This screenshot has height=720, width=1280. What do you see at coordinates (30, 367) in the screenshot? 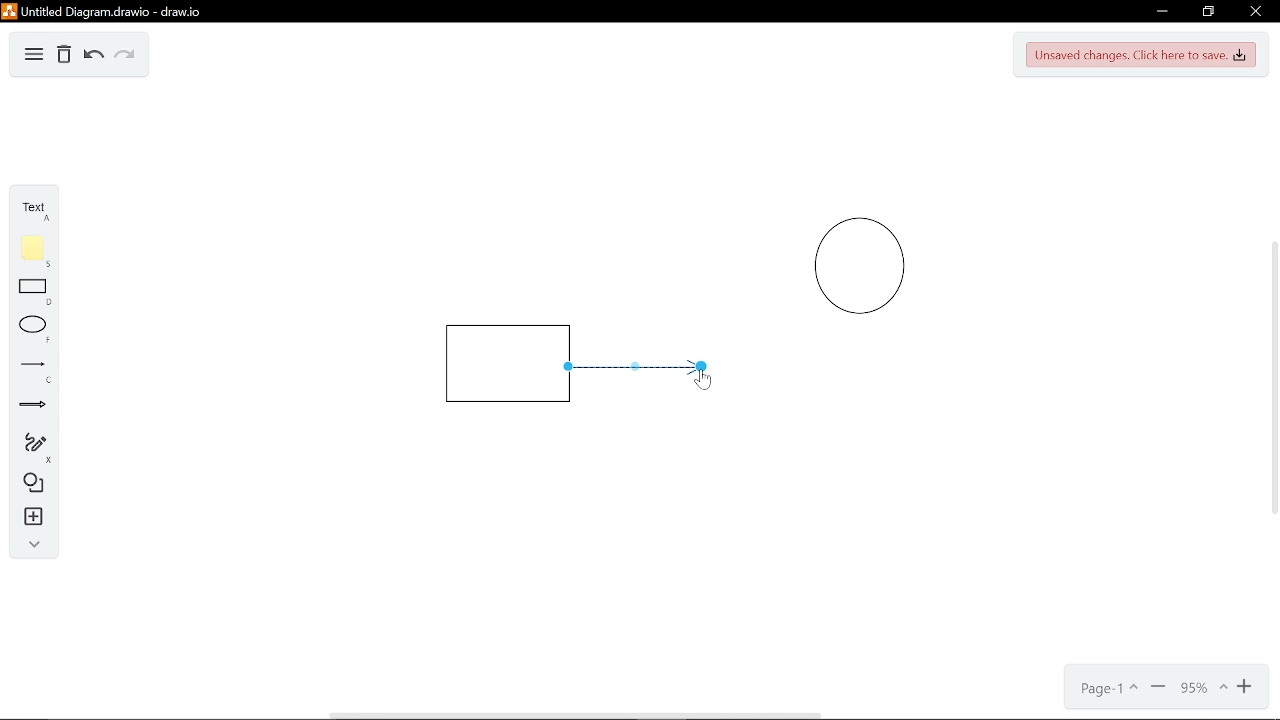
I see `Line` at bounding box center [30, 367].